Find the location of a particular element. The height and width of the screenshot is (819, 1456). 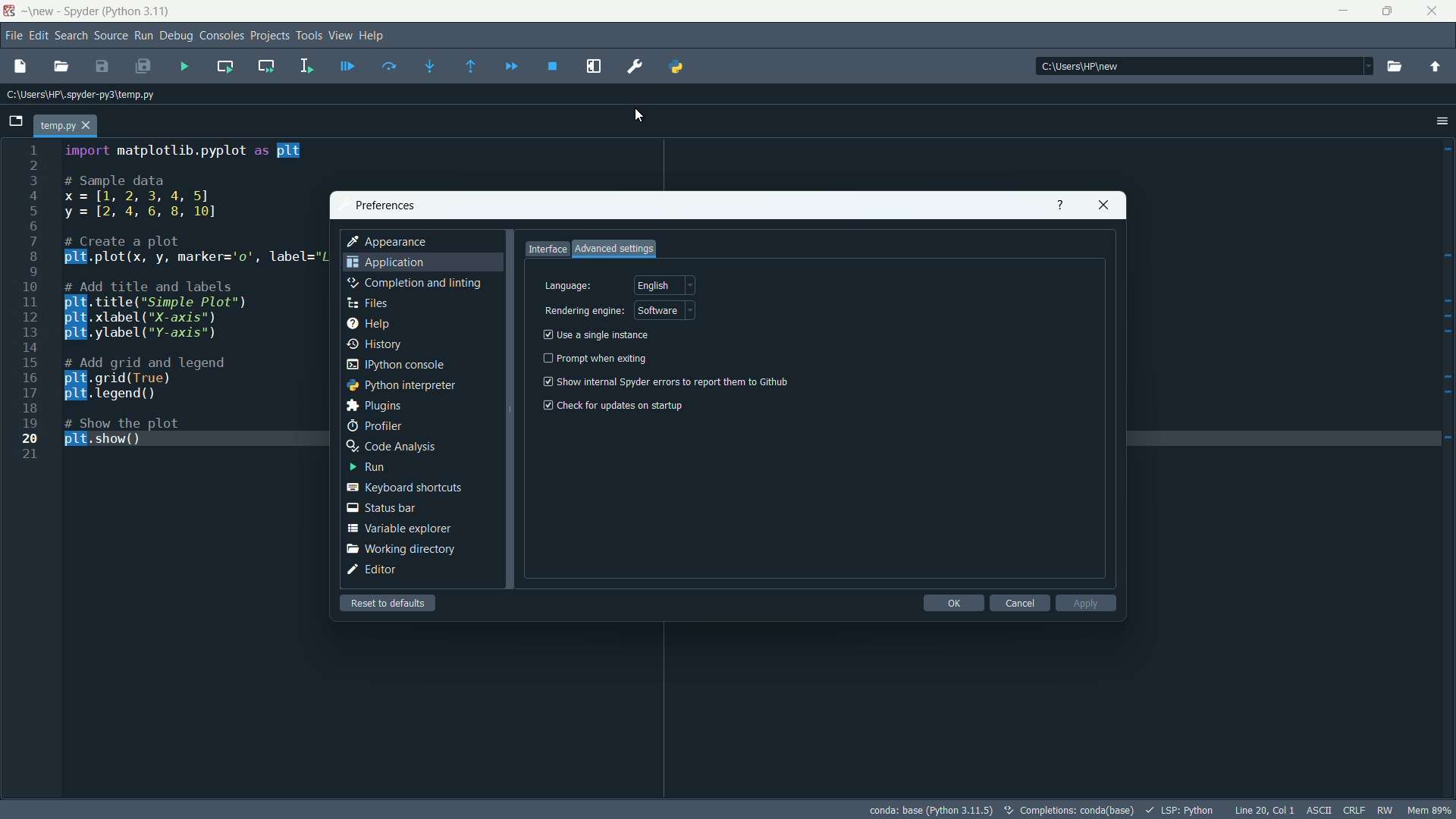

execute current line is located at coordinates (391, 67).